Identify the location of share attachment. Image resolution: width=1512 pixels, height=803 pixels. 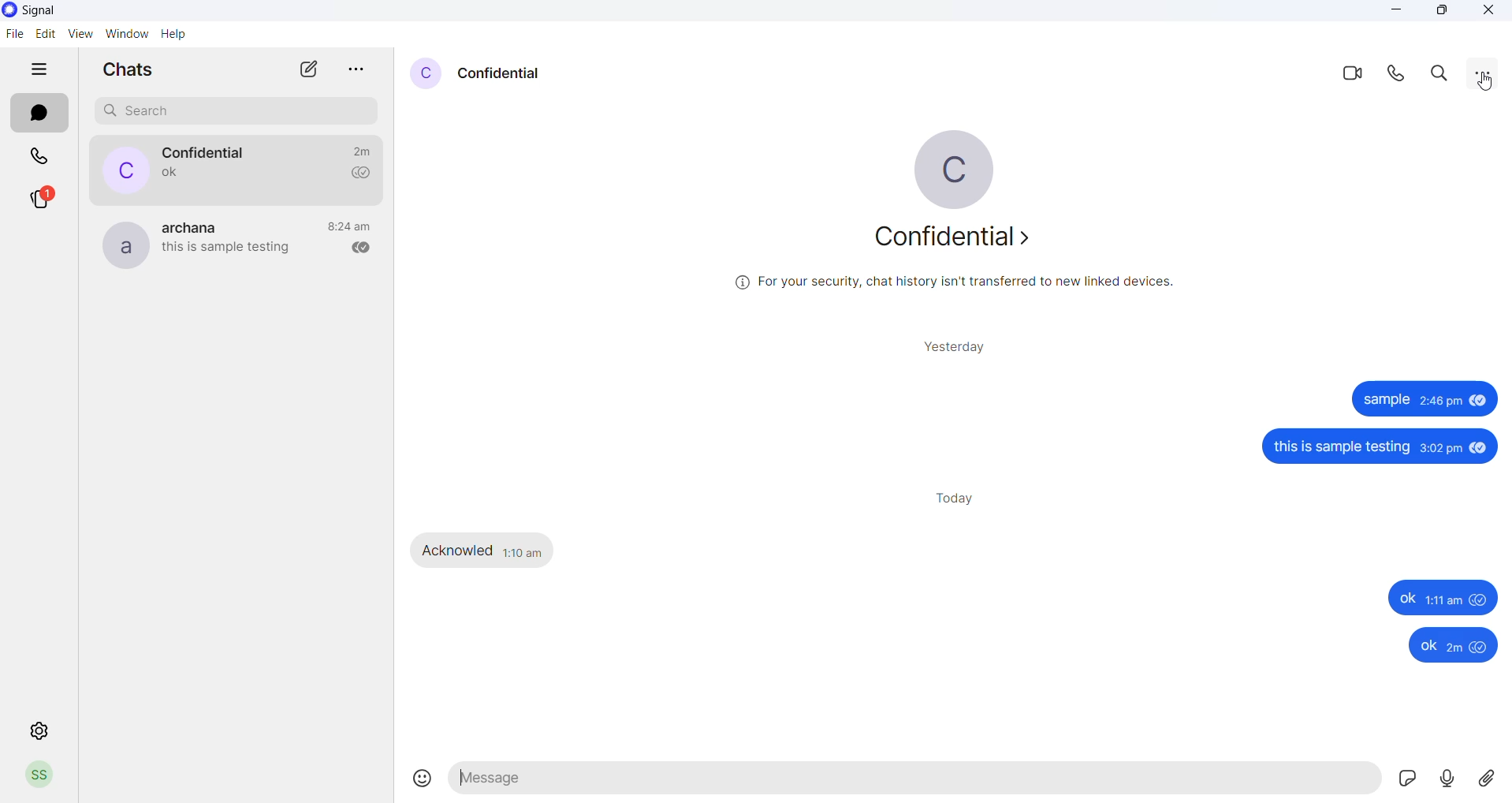
(1490, 779).